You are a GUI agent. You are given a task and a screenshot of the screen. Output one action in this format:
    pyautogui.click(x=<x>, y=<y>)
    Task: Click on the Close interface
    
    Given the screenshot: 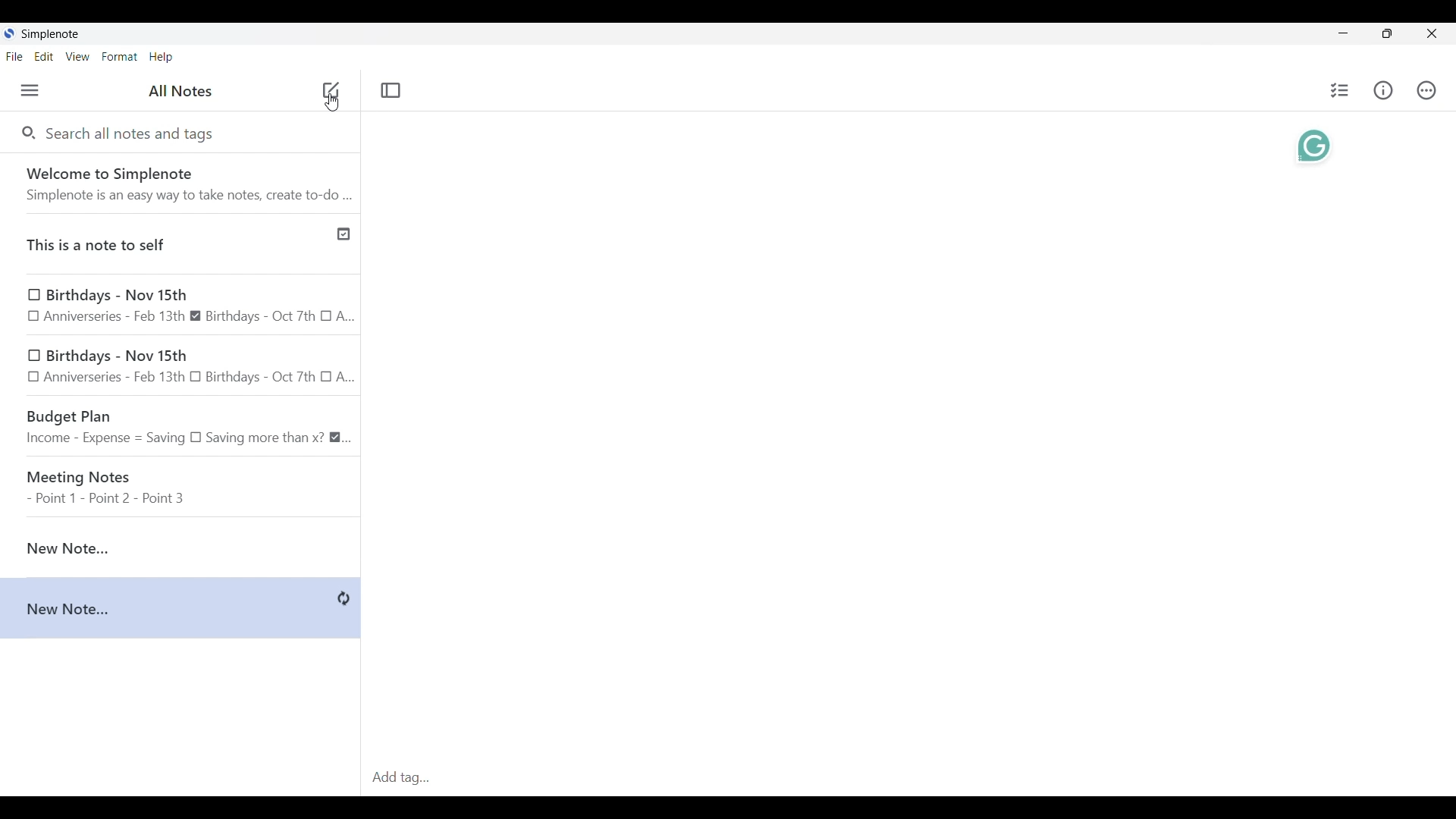 What is the action you would take?
    pyautogui.click(x=1431, y=33)
    